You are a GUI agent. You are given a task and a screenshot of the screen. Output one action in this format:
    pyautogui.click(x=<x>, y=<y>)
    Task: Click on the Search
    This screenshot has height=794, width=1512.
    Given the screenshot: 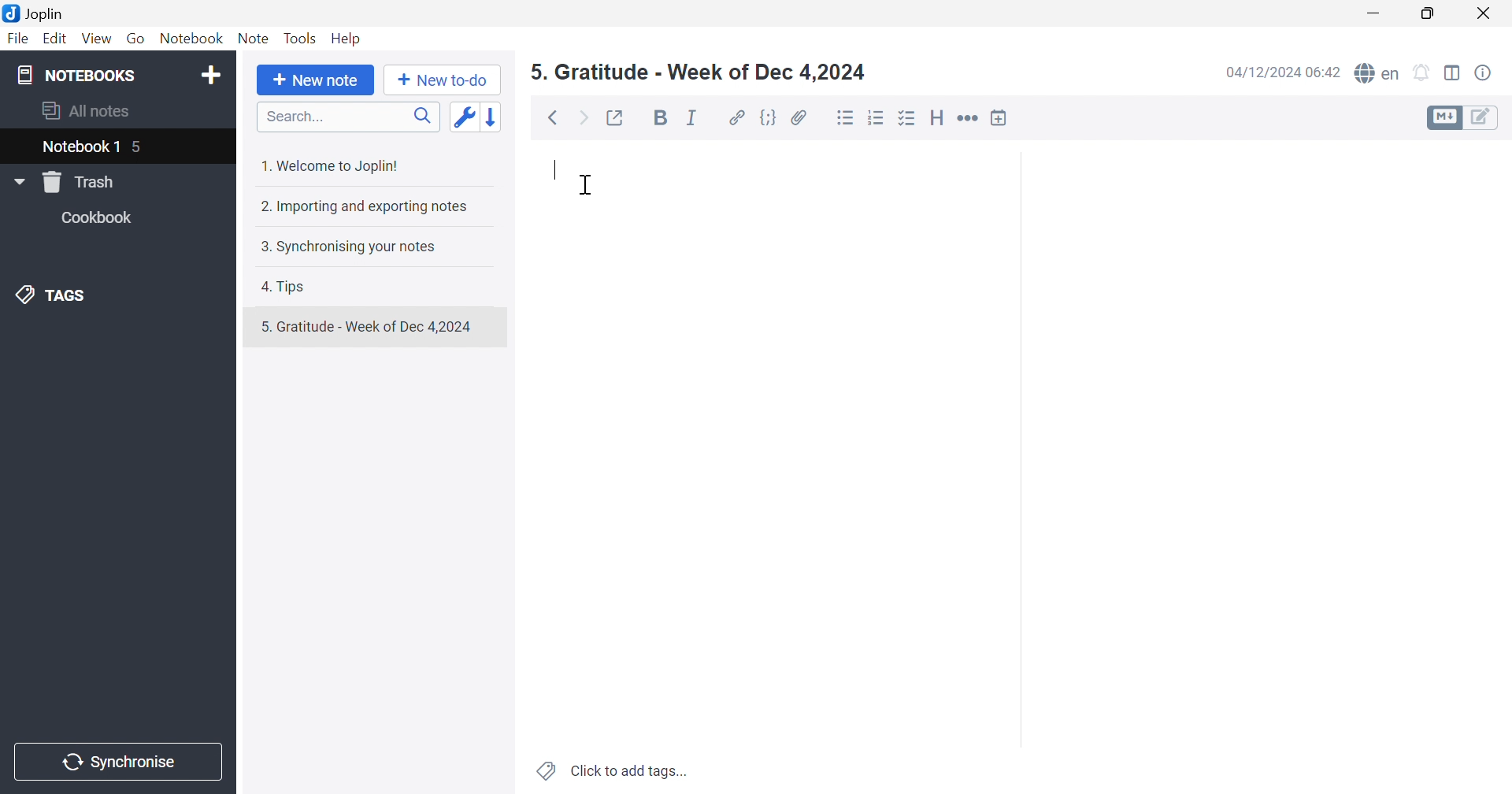 What is the action you would take?
    pyautogui.click(x=343, y=117)
    